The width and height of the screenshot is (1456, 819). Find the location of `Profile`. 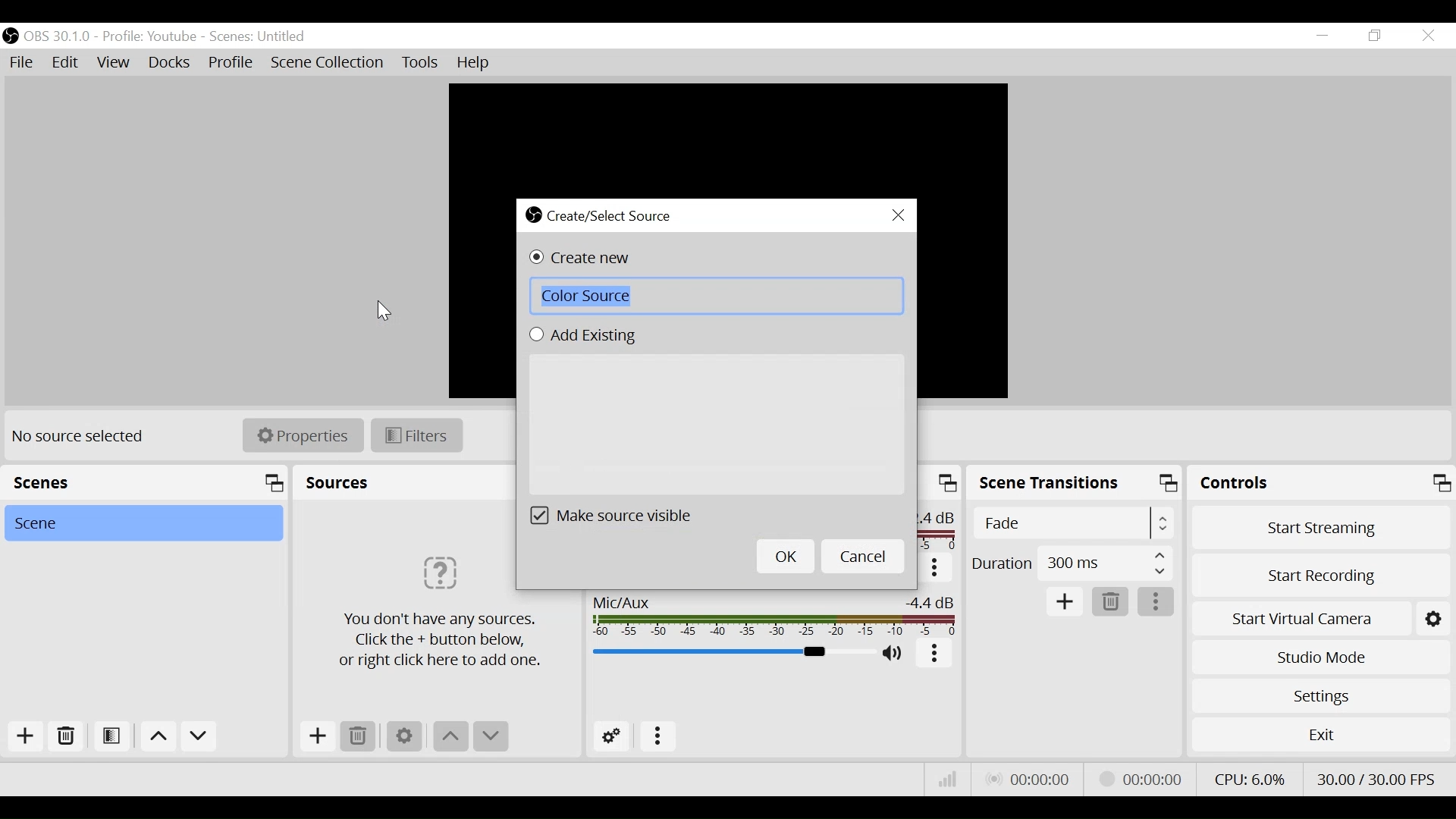

Profile is located at coordinates (231, 62).